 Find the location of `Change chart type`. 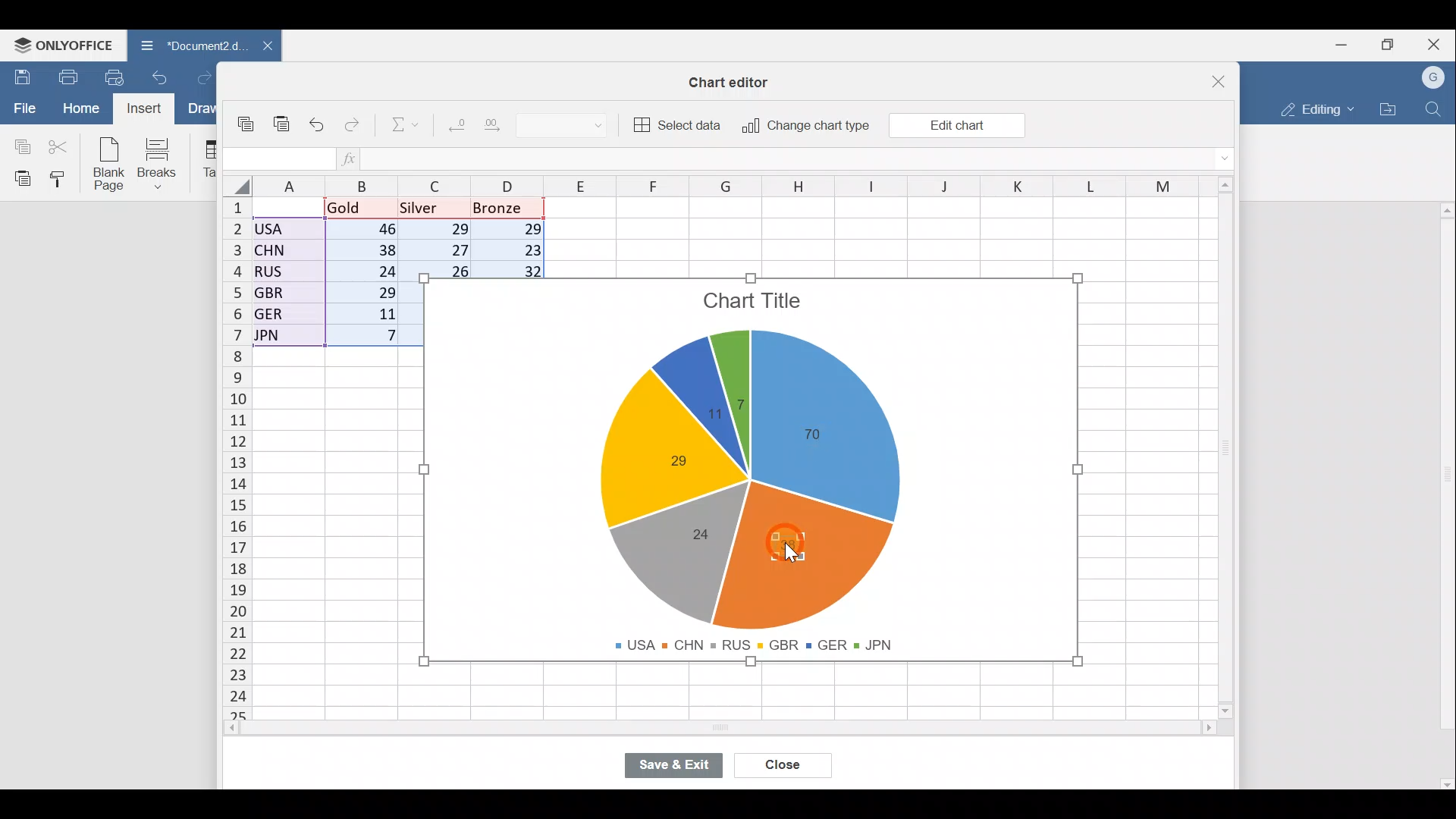

Change chart type is located at coordinates (801, 127).